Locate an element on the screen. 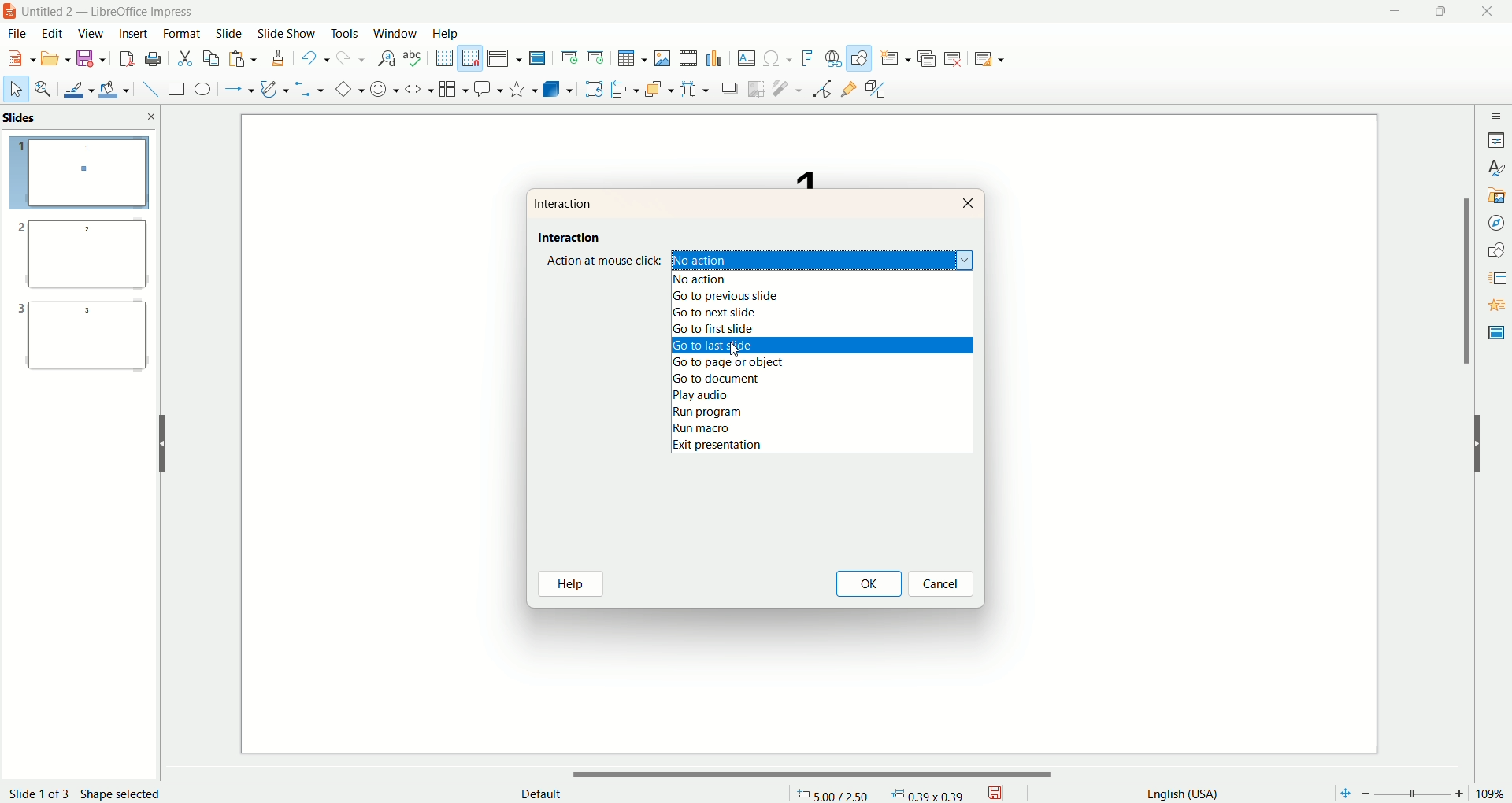 The width and height of the screenshot is (1512, 803). insert is located at coordinates (132, 34).